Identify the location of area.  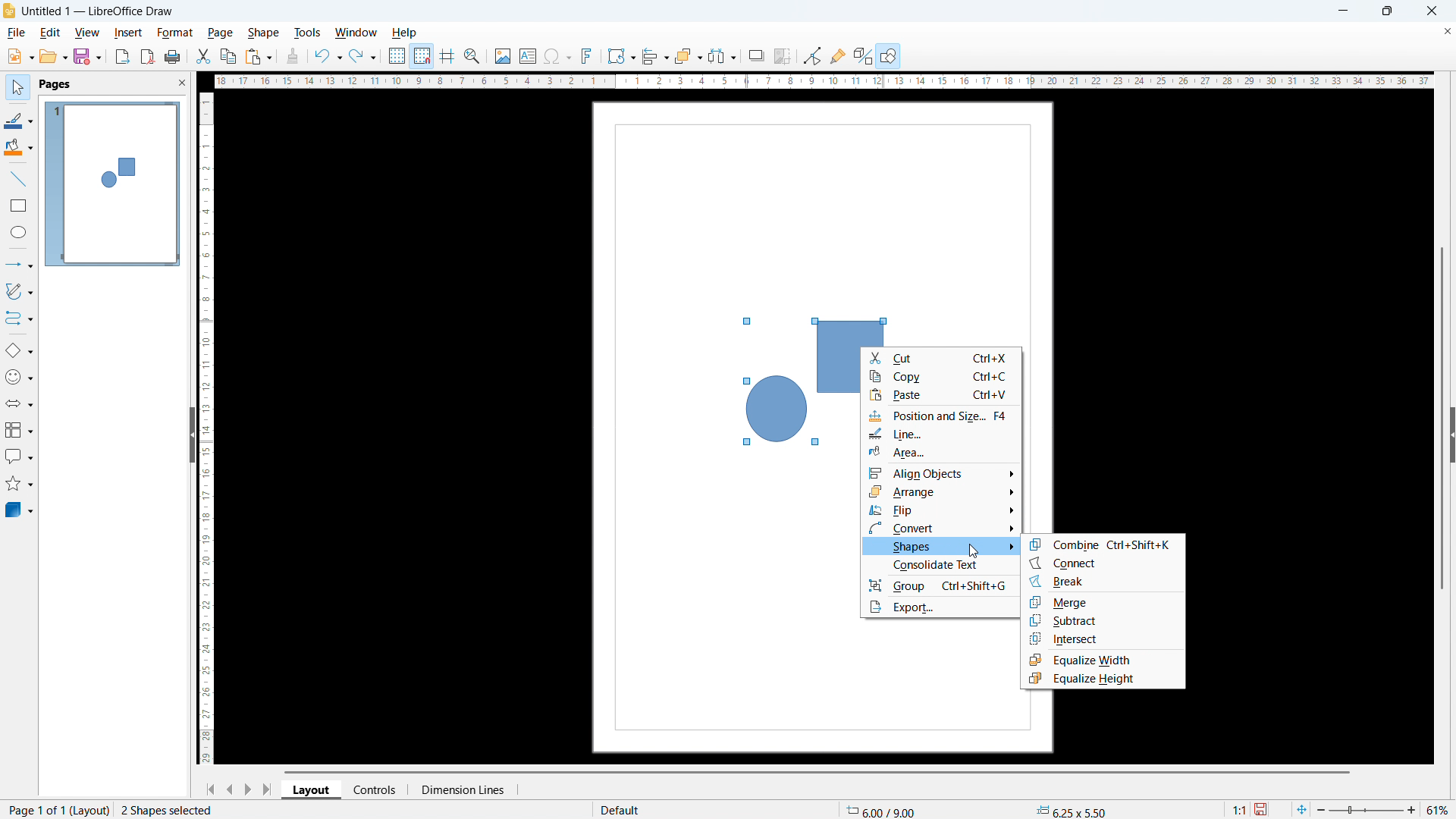
(941, 452).